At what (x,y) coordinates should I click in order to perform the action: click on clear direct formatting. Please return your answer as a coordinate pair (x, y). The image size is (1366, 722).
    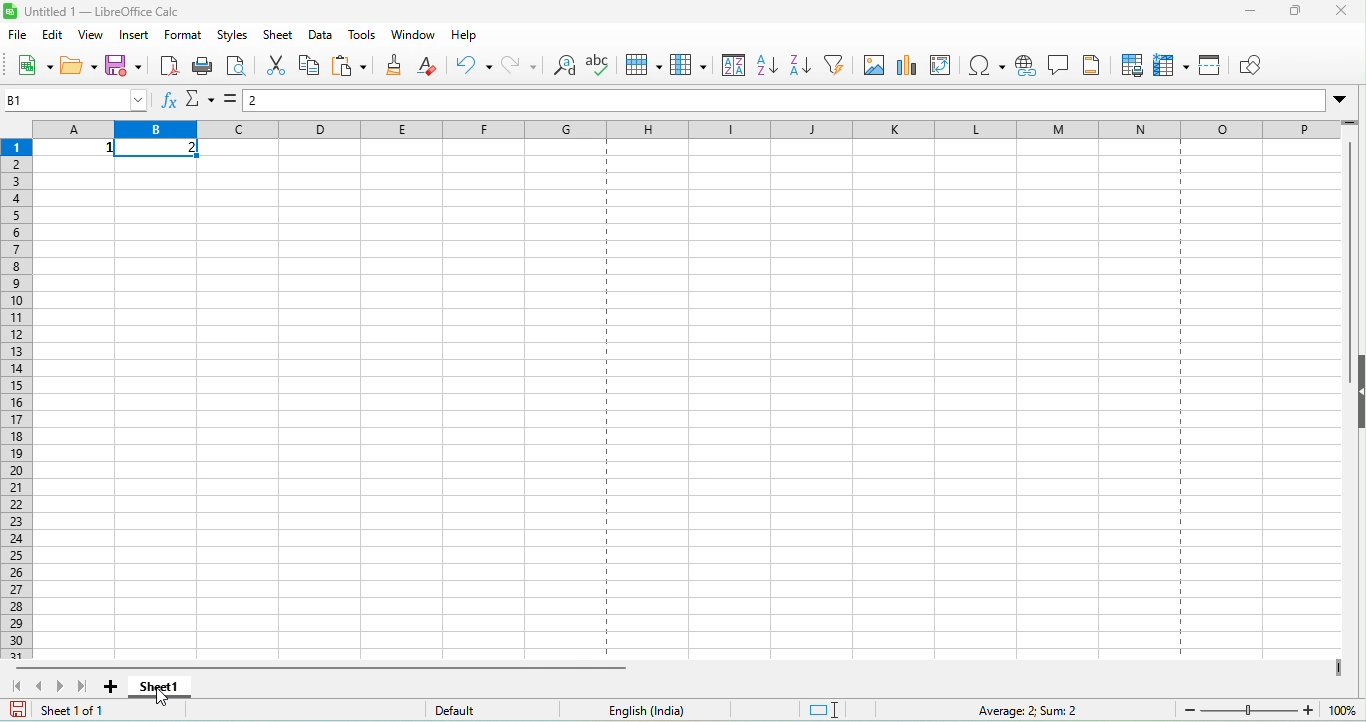
    Looking at the image, I should click on (432, 65).